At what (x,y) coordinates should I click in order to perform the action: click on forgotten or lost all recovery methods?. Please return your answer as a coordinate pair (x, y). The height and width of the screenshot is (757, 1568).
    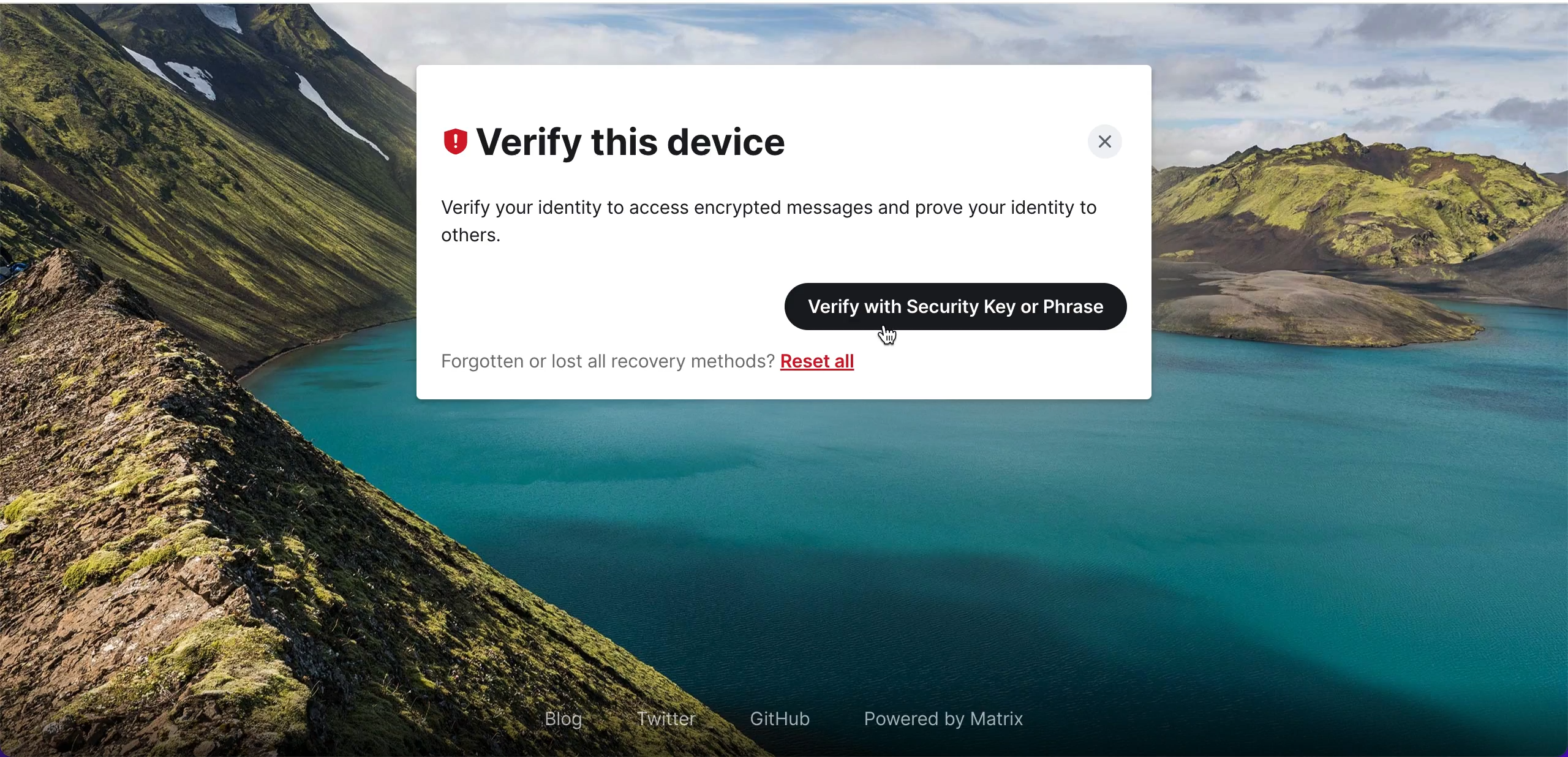
    Looking at the image, I should click on (600, 363).